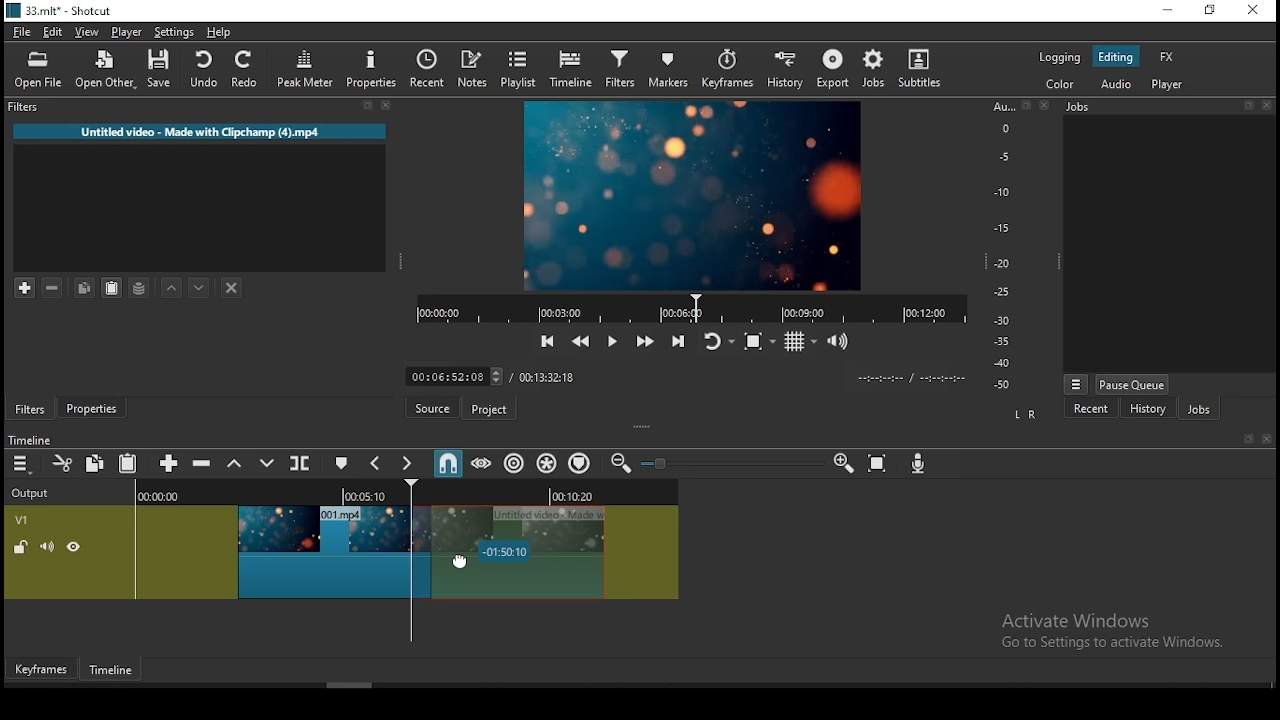  Describe the element at coordinates (679, 342) in the screenshot. I see `skip to next point` at that location.